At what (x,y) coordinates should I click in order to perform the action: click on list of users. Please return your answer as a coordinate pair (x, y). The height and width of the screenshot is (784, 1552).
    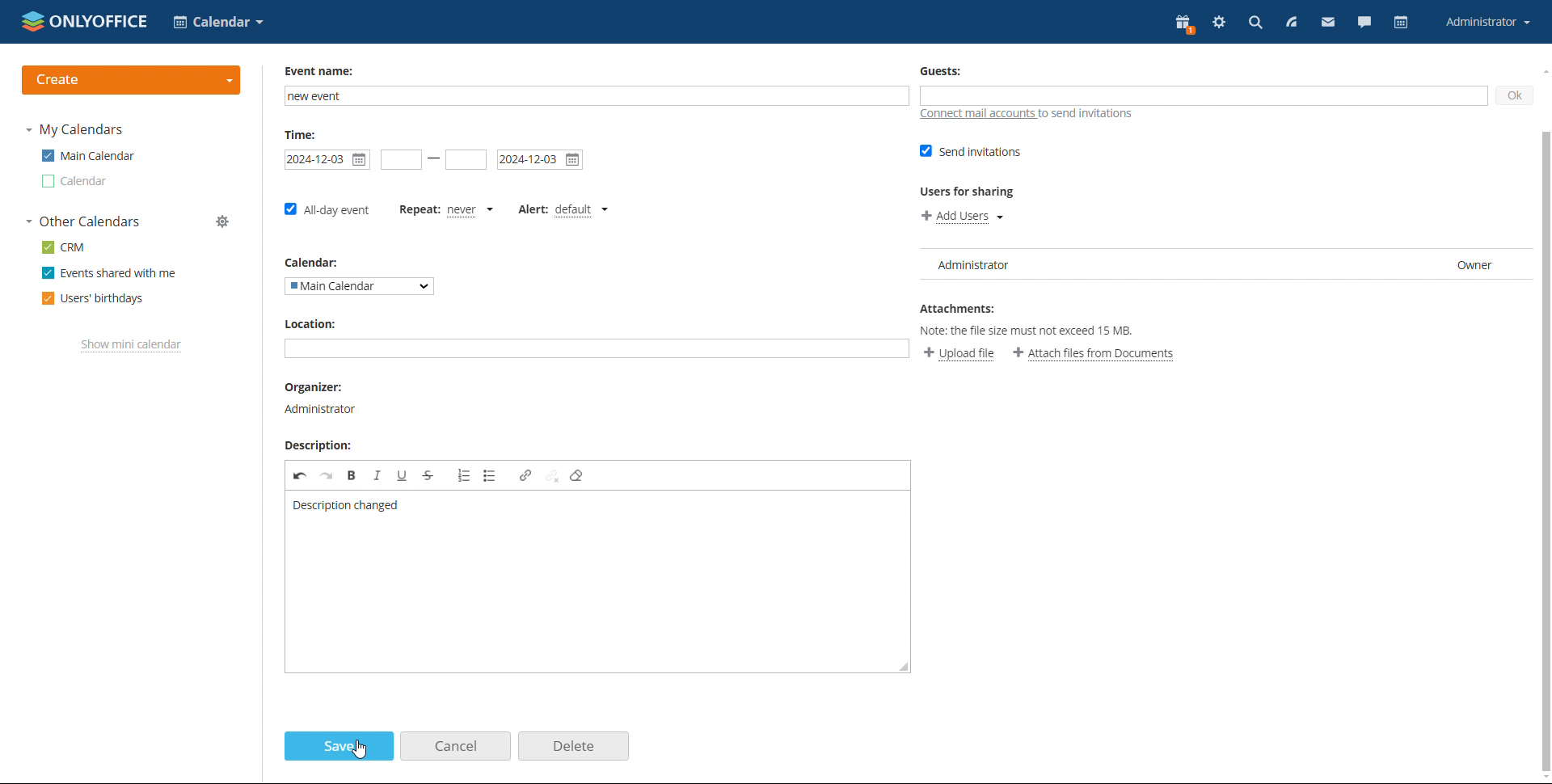
    Looking at the image, I should click on (1228, 259).